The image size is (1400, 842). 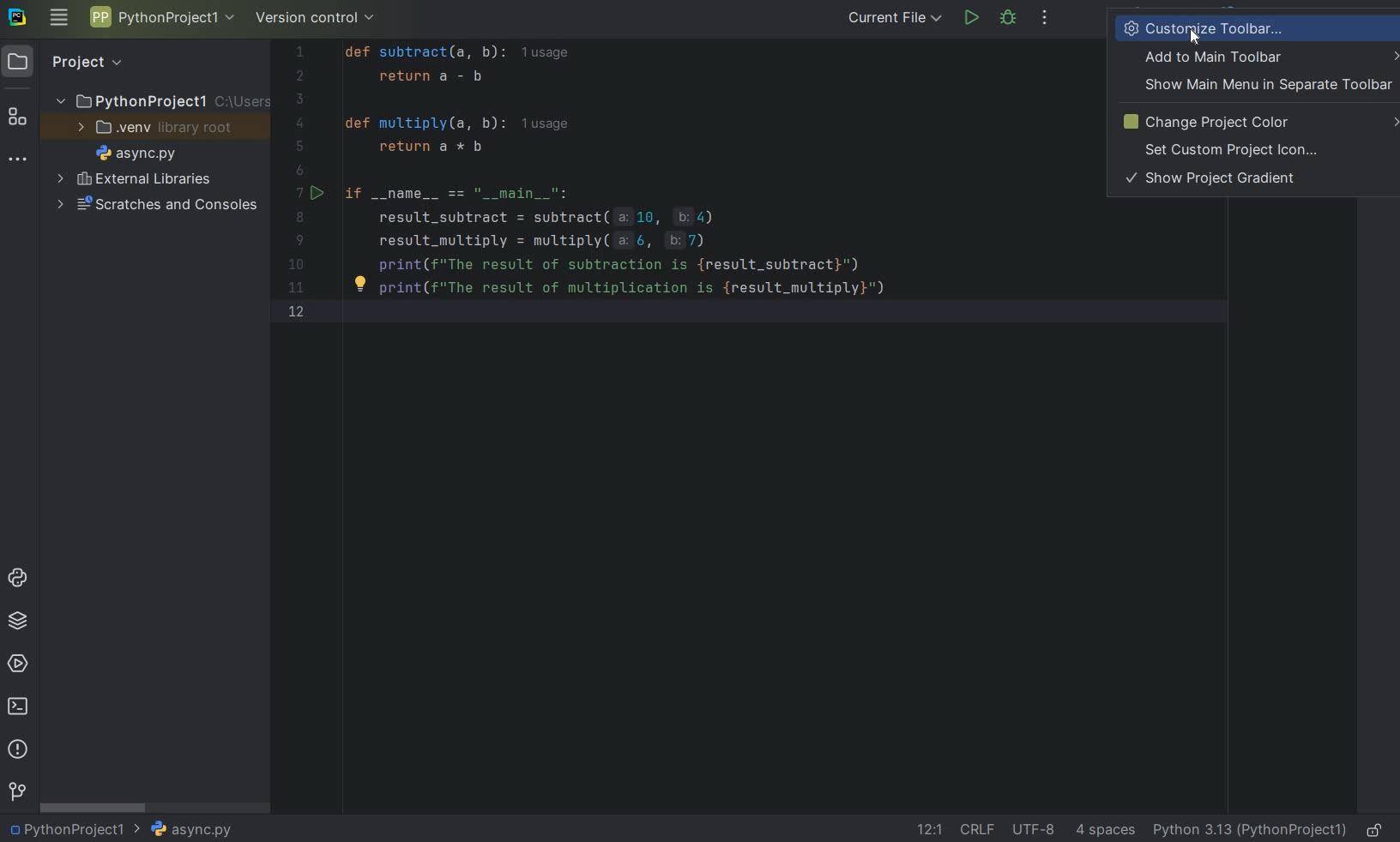 I want to click on CODES, so click(x=655, y=198).